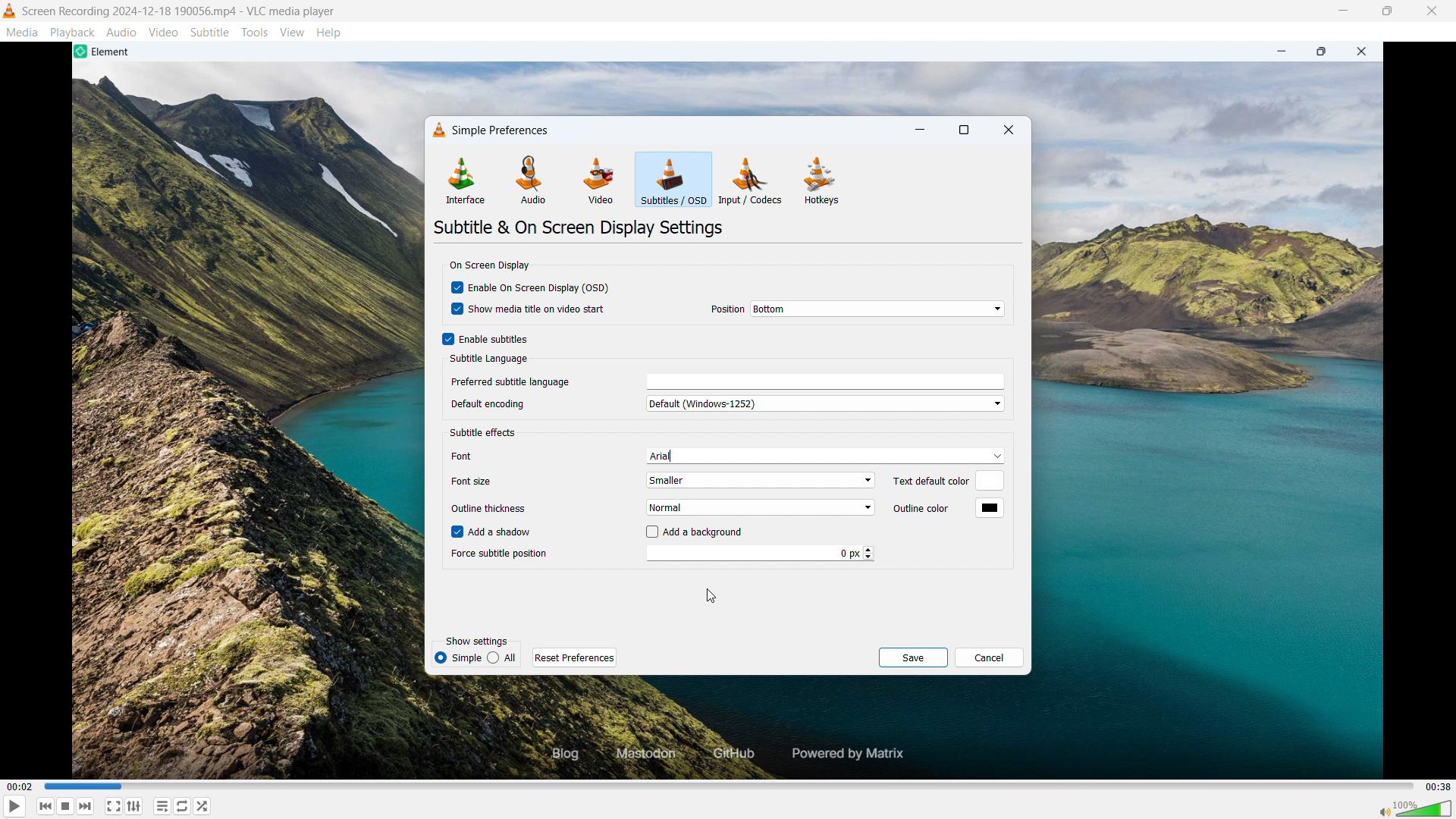  Describe the element at coordinates (1414, 808) in the screenshot. I see `sound bar` at that location.